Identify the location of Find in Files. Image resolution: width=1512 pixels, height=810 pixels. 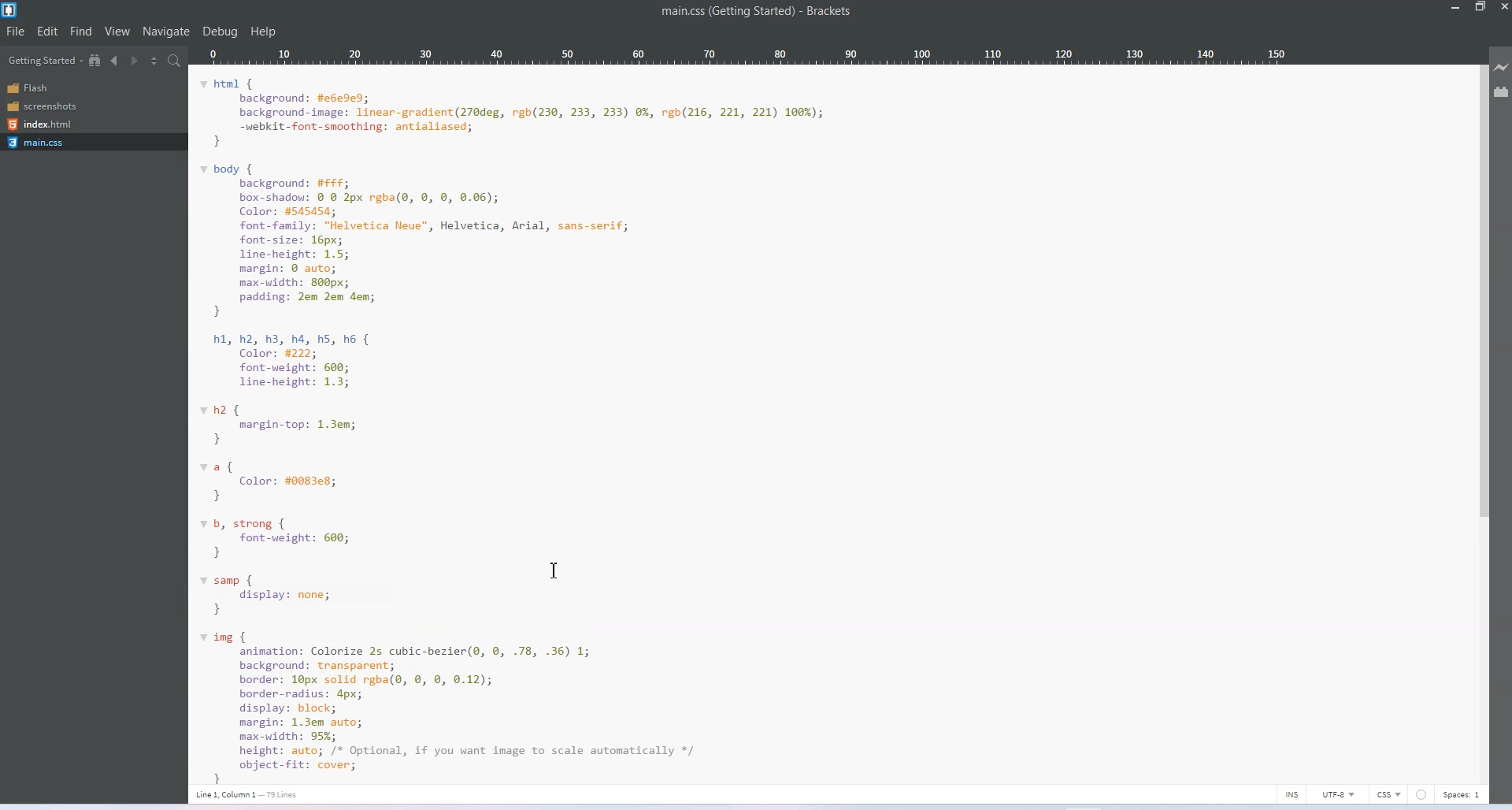
(176, 61).